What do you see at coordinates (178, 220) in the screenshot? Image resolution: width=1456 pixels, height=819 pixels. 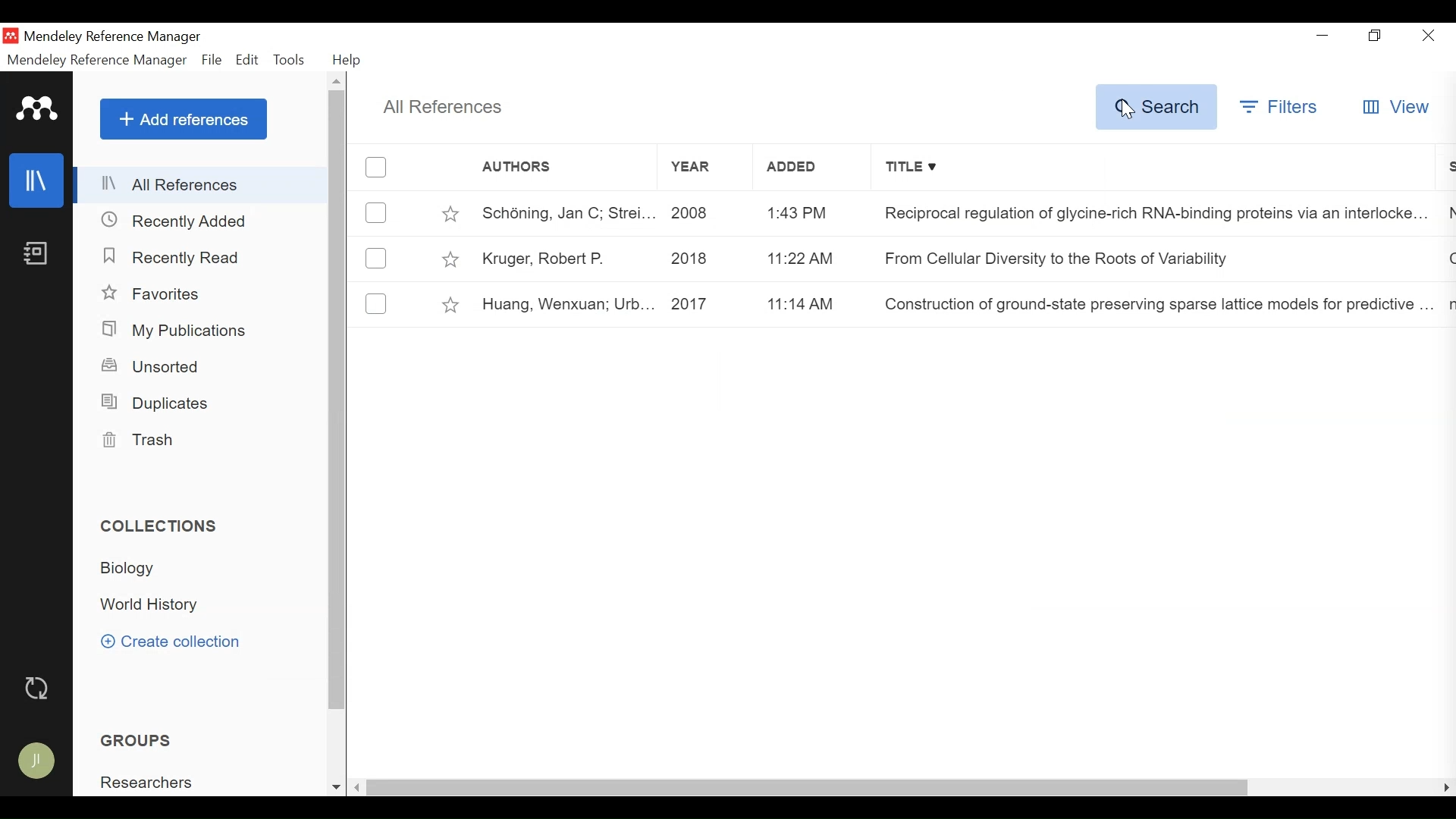 I see `Recently Added` at bounding box center [178, 220].